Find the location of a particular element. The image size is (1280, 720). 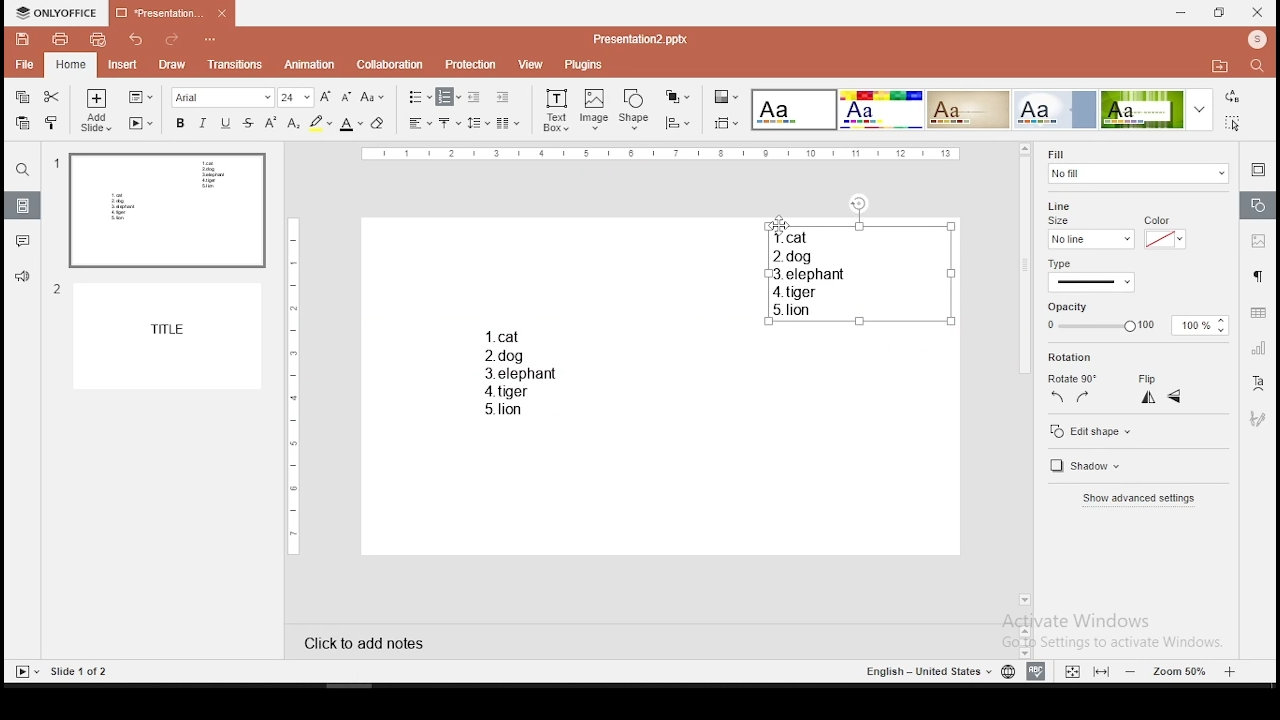

font size is located at coordinates (296, 97).